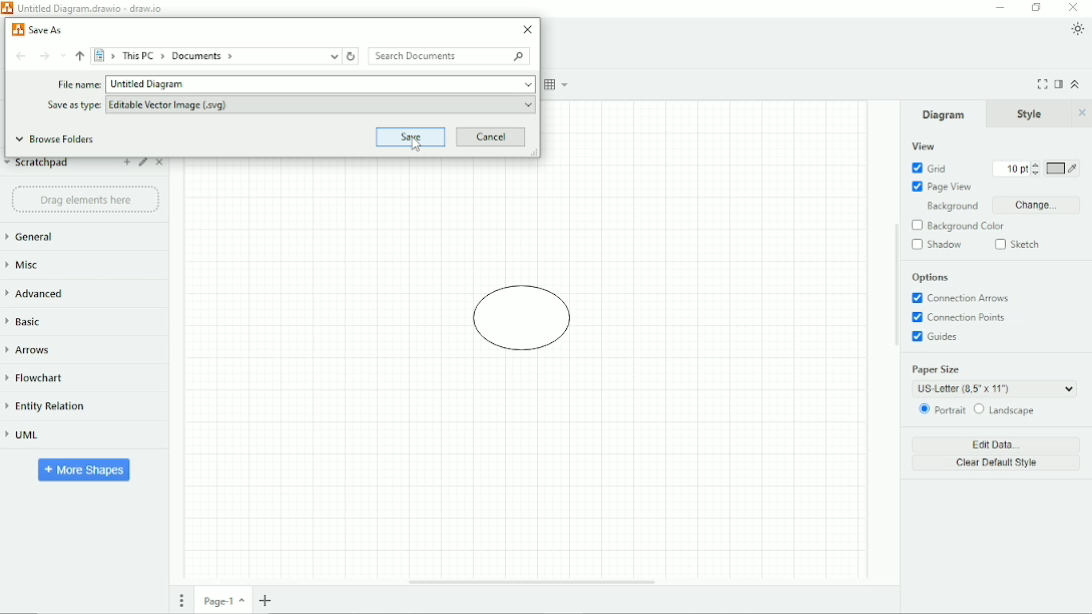 The width and height of the screenshot is (1092, 614). Describe the element at coordinates (957, 226) in the screenshot. I see `Background Color` at that location.